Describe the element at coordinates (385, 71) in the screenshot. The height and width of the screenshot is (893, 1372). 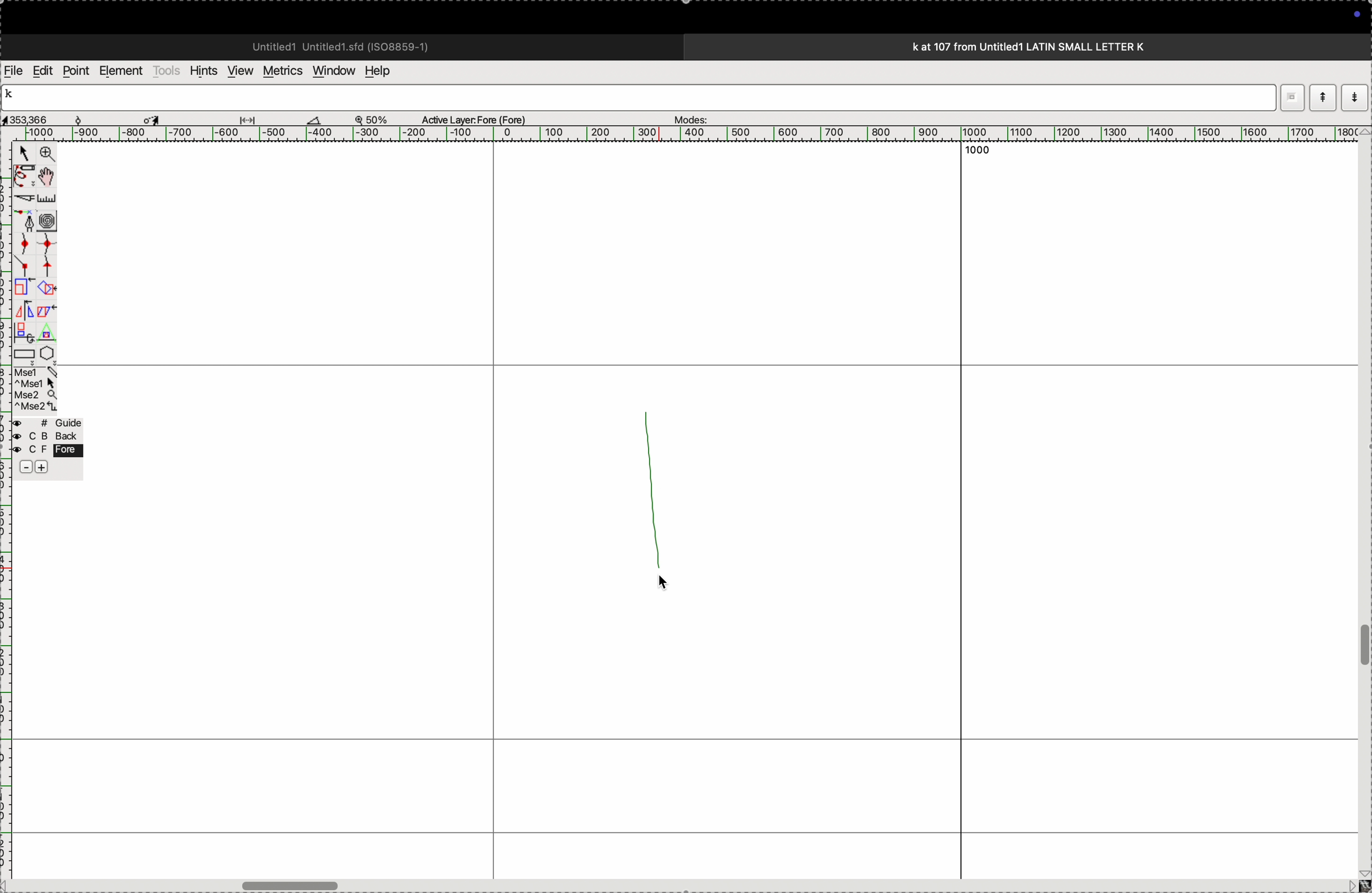
I see `help` at that location.